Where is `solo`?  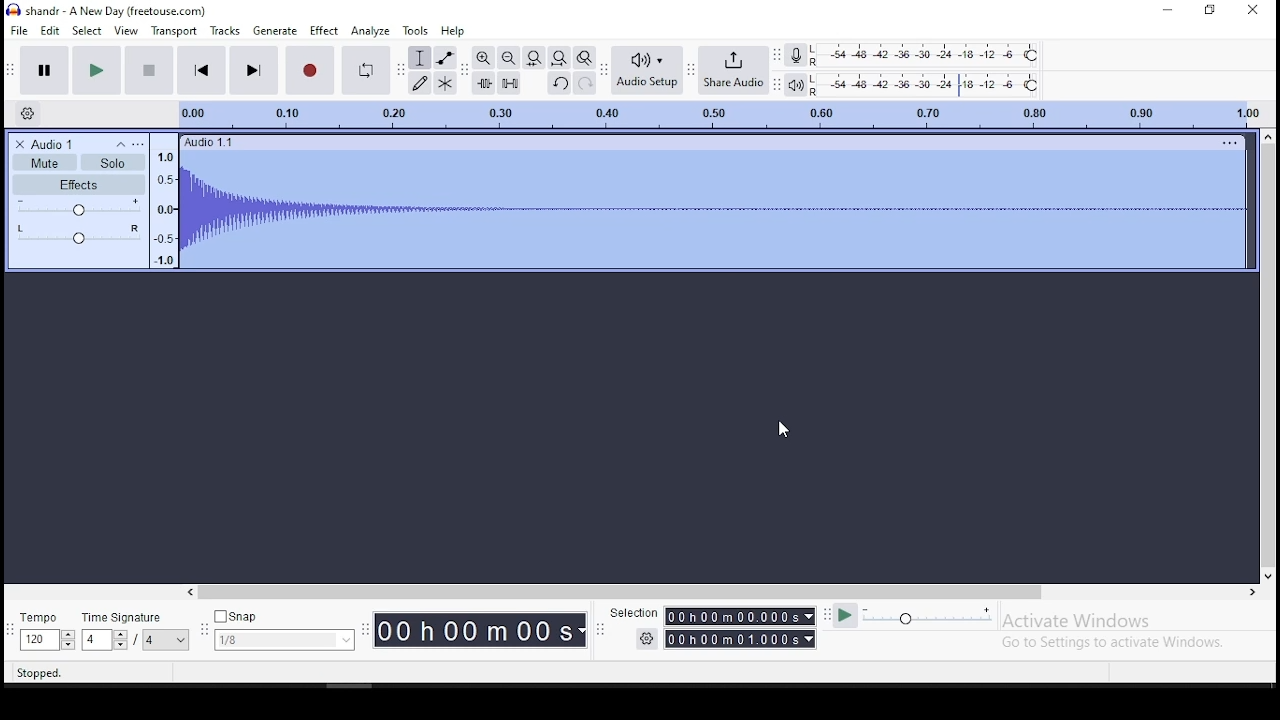 solo is located at coordinates (112, 162).